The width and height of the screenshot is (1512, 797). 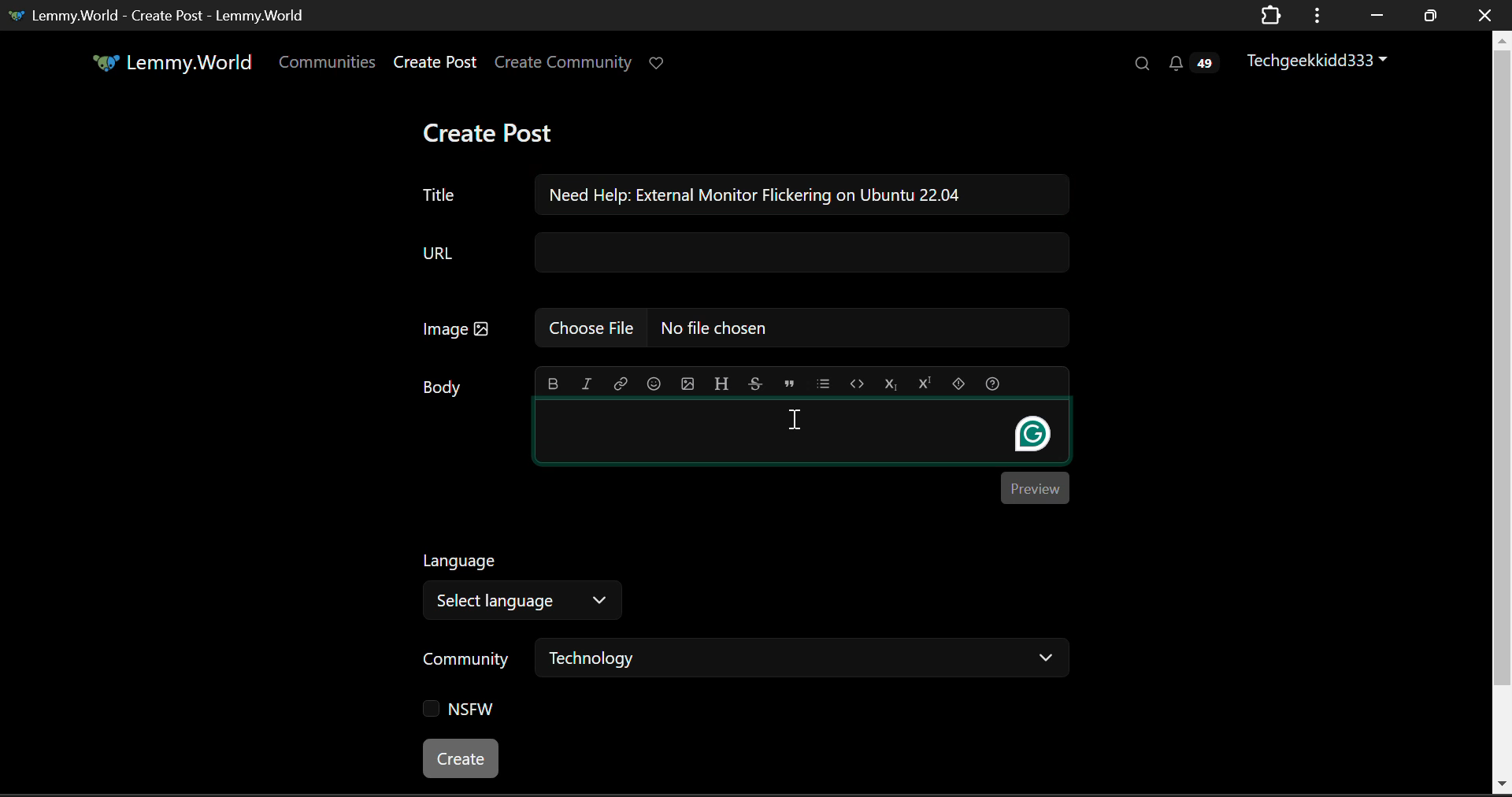 What do you see at coordinates (890, 385) in the screenshot?
I see `Subscript` at bounding box center [890, 385].